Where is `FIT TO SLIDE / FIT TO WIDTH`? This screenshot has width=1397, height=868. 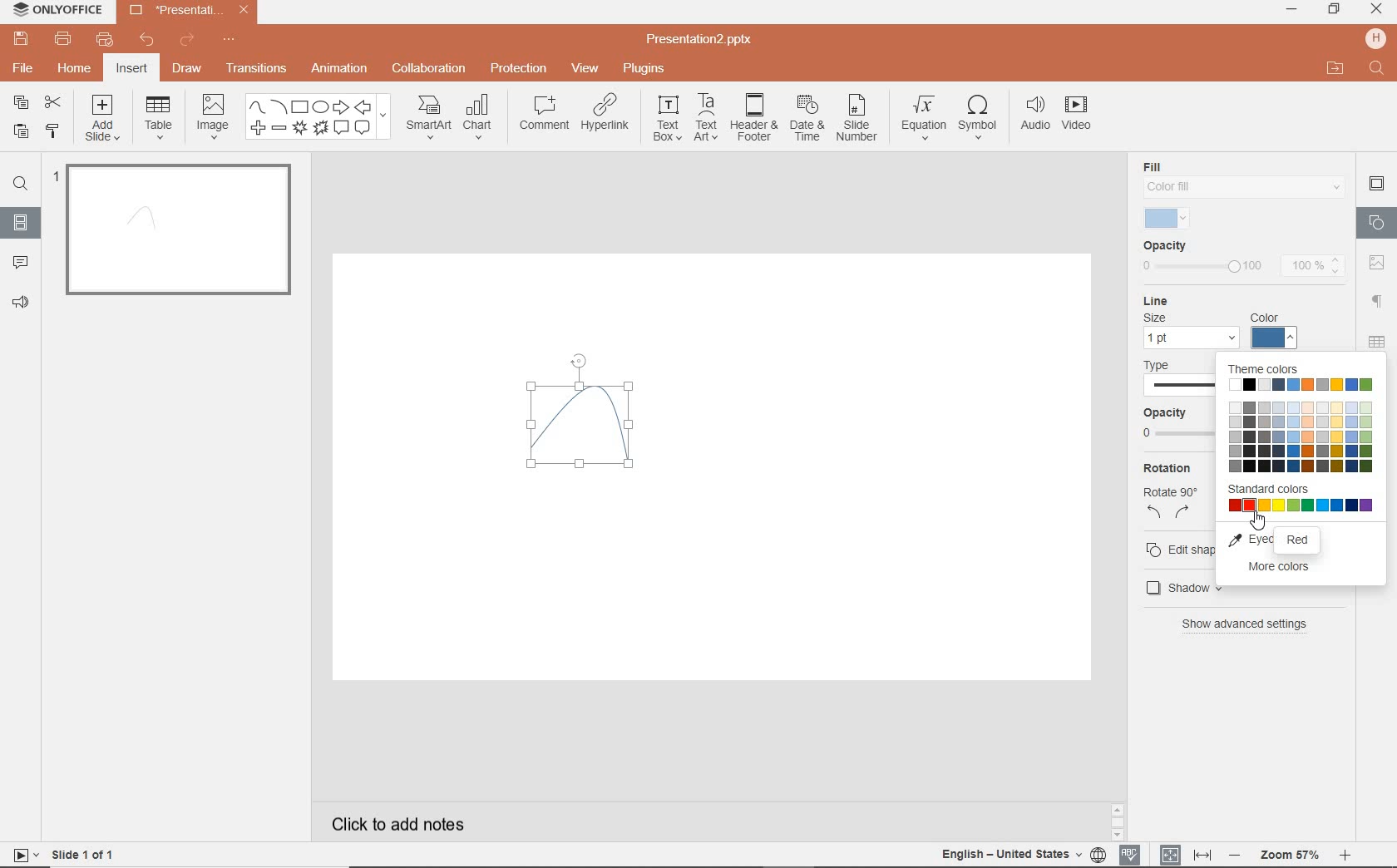 FIT TO SLIDE / FIT TO WIDTH is located at coordinates (1186, 853).